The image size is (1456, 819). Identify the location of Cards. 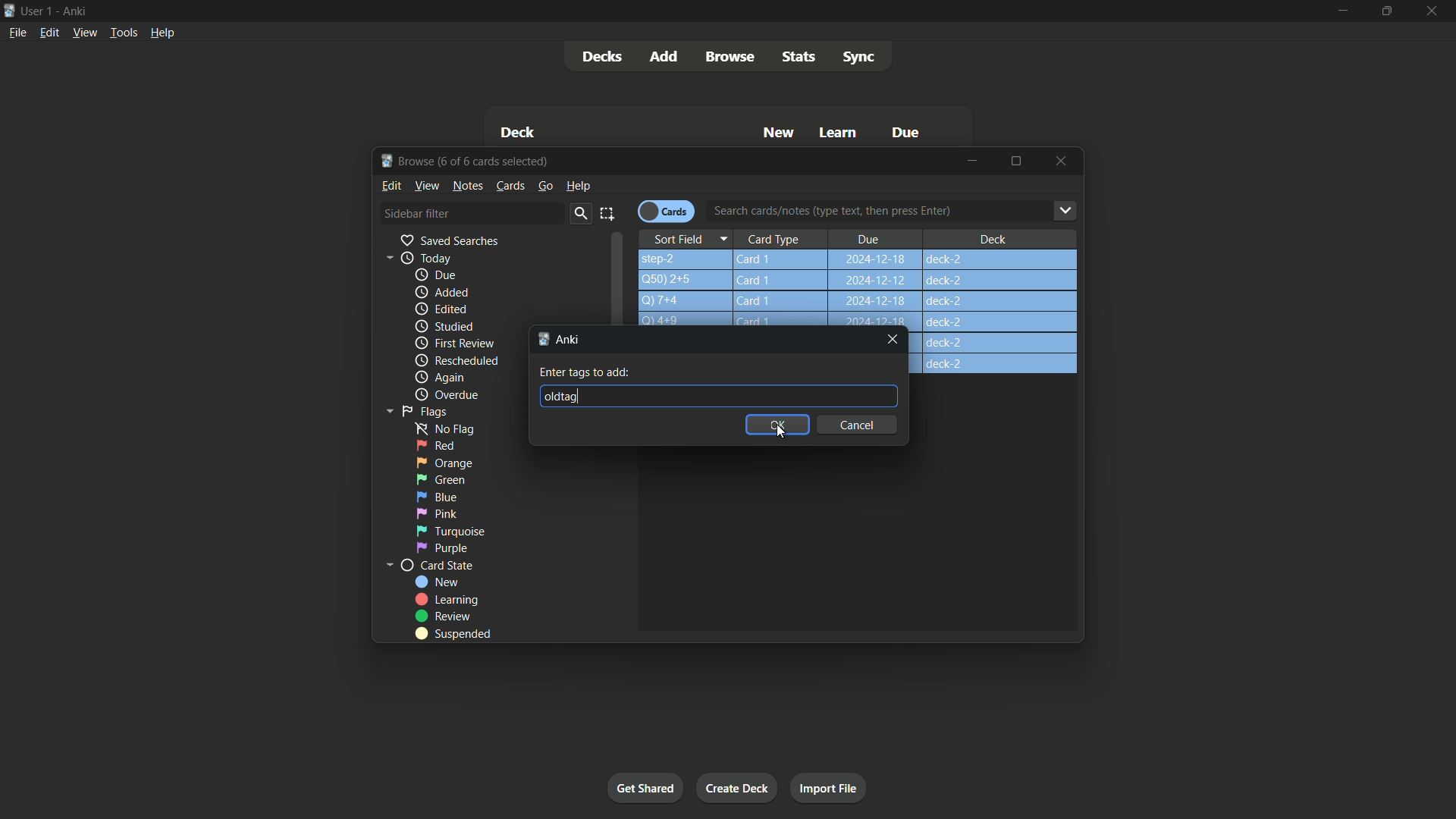
(666, 210).